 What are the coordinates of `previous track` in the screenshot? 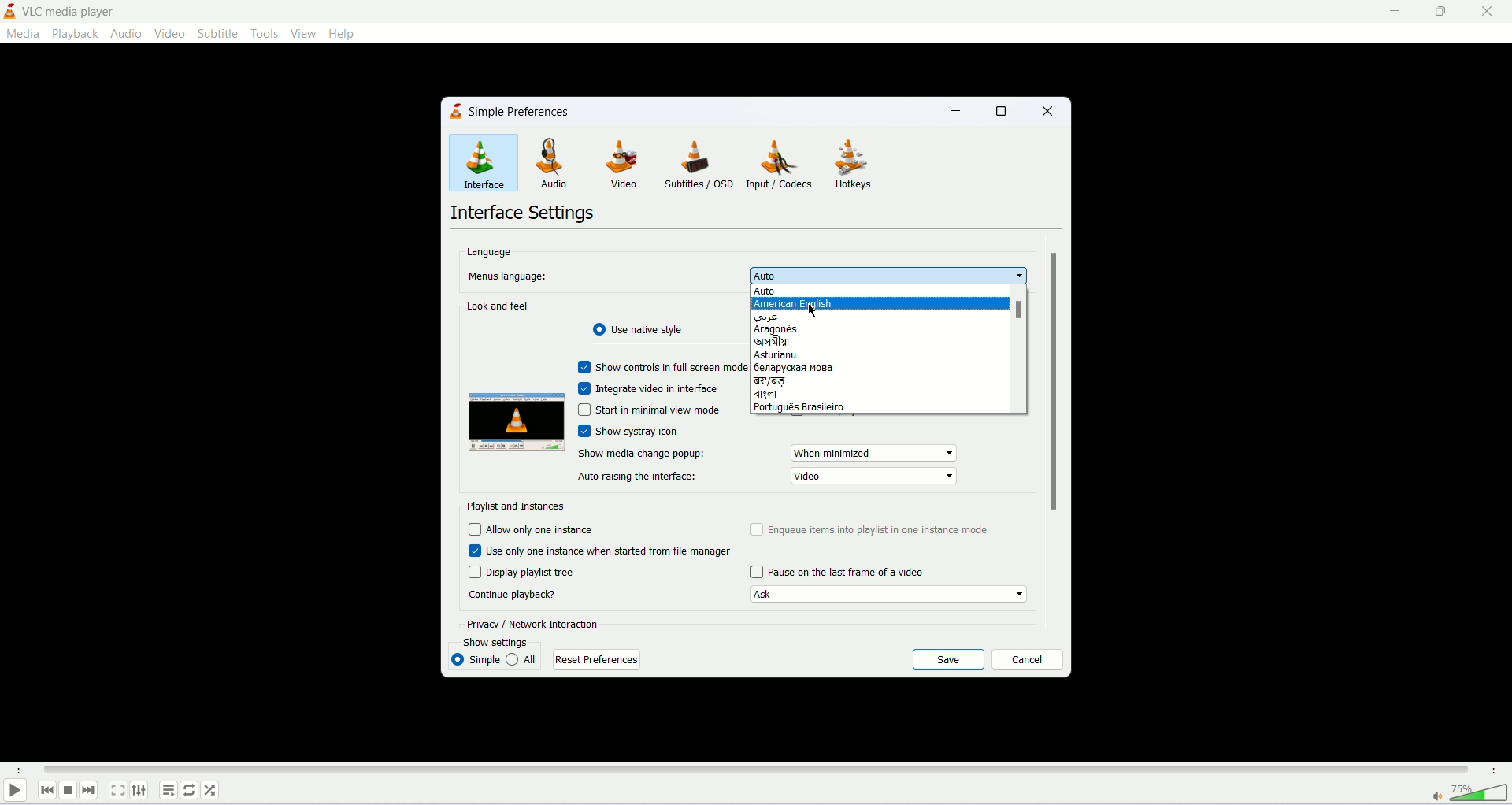 It's located at (47, 790).